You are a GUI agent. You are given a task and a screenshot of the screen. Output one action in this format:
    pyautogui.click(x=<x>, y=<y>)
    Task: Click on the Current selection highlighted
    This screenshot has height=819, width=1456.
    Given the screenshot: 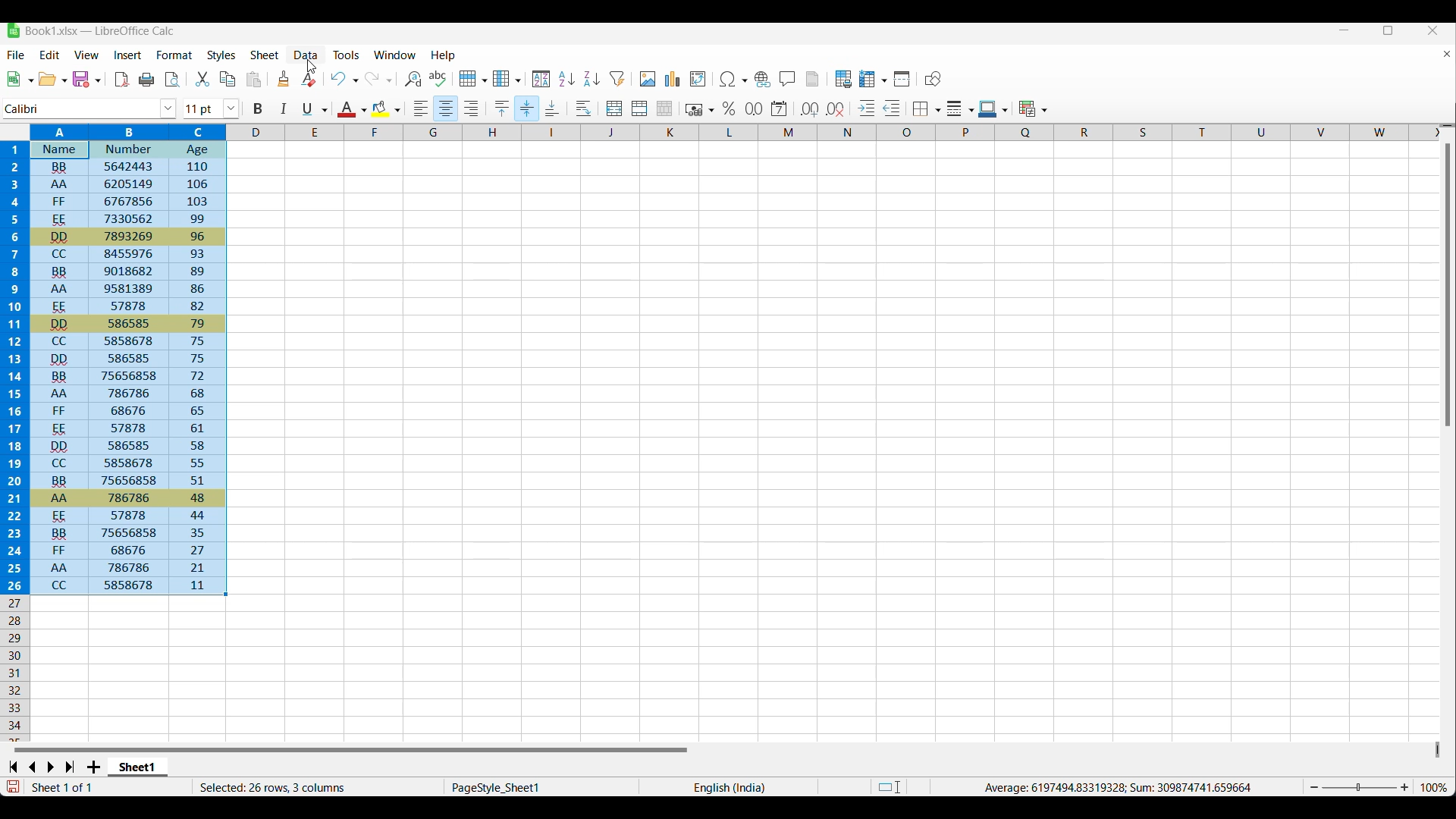 What is the action you would take?
    pyautogui.click(x=115, y=359)
    